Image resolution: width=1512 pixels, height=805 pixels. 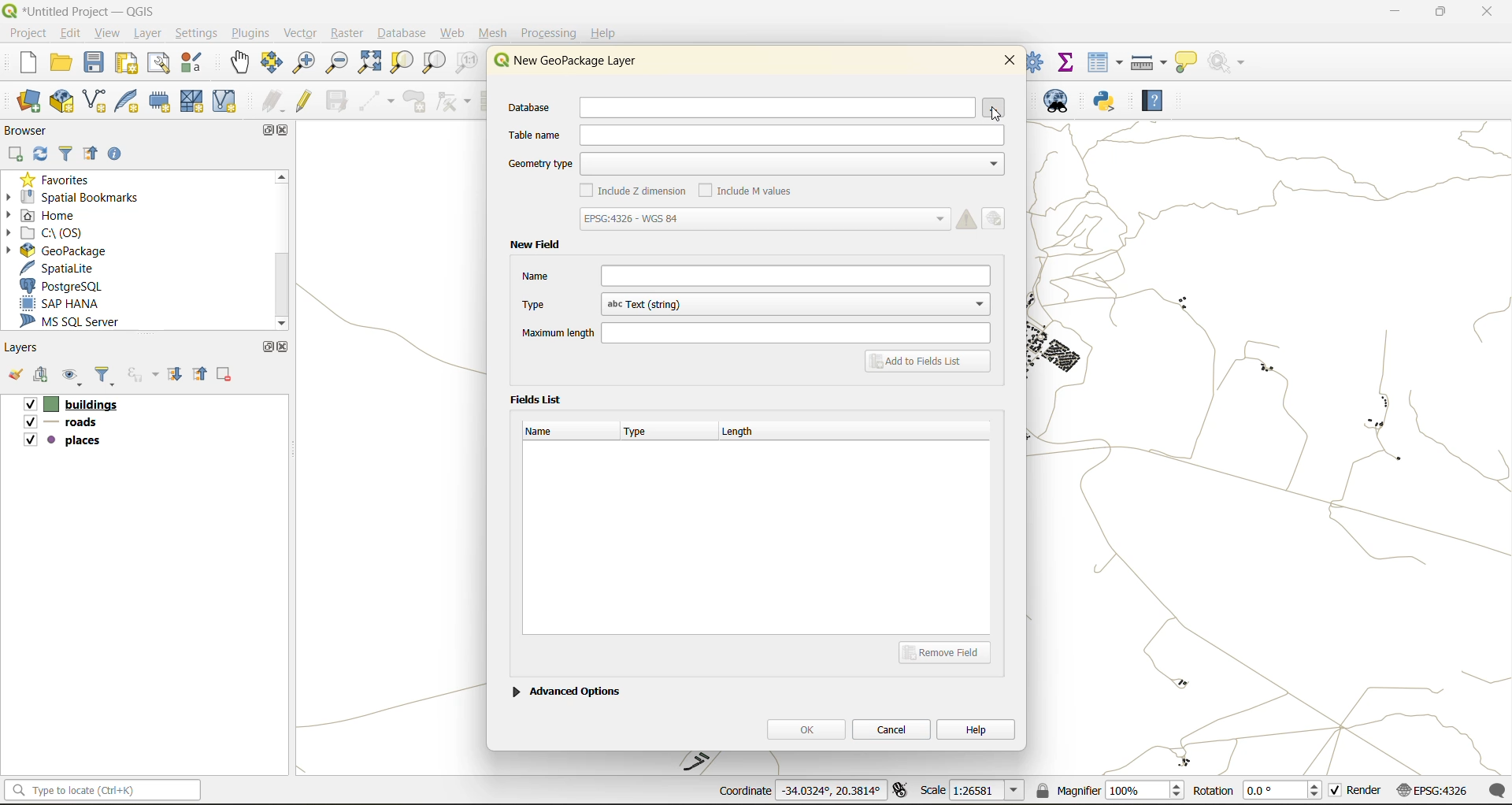 I want to click on mesh, so click(x=495, y=33).